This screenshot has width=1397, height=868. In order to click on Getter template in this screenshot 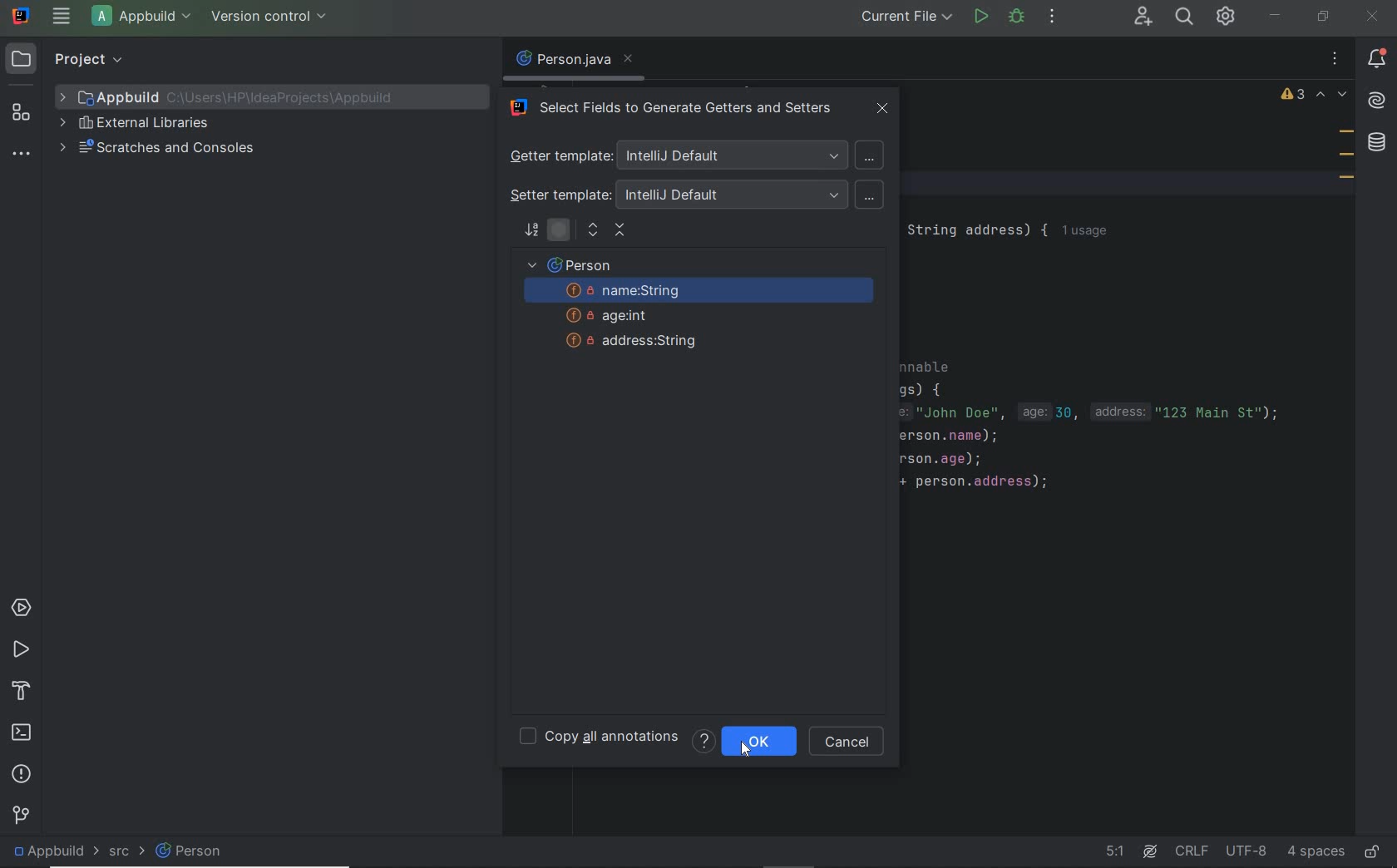, I will do `click(693, 155)`.